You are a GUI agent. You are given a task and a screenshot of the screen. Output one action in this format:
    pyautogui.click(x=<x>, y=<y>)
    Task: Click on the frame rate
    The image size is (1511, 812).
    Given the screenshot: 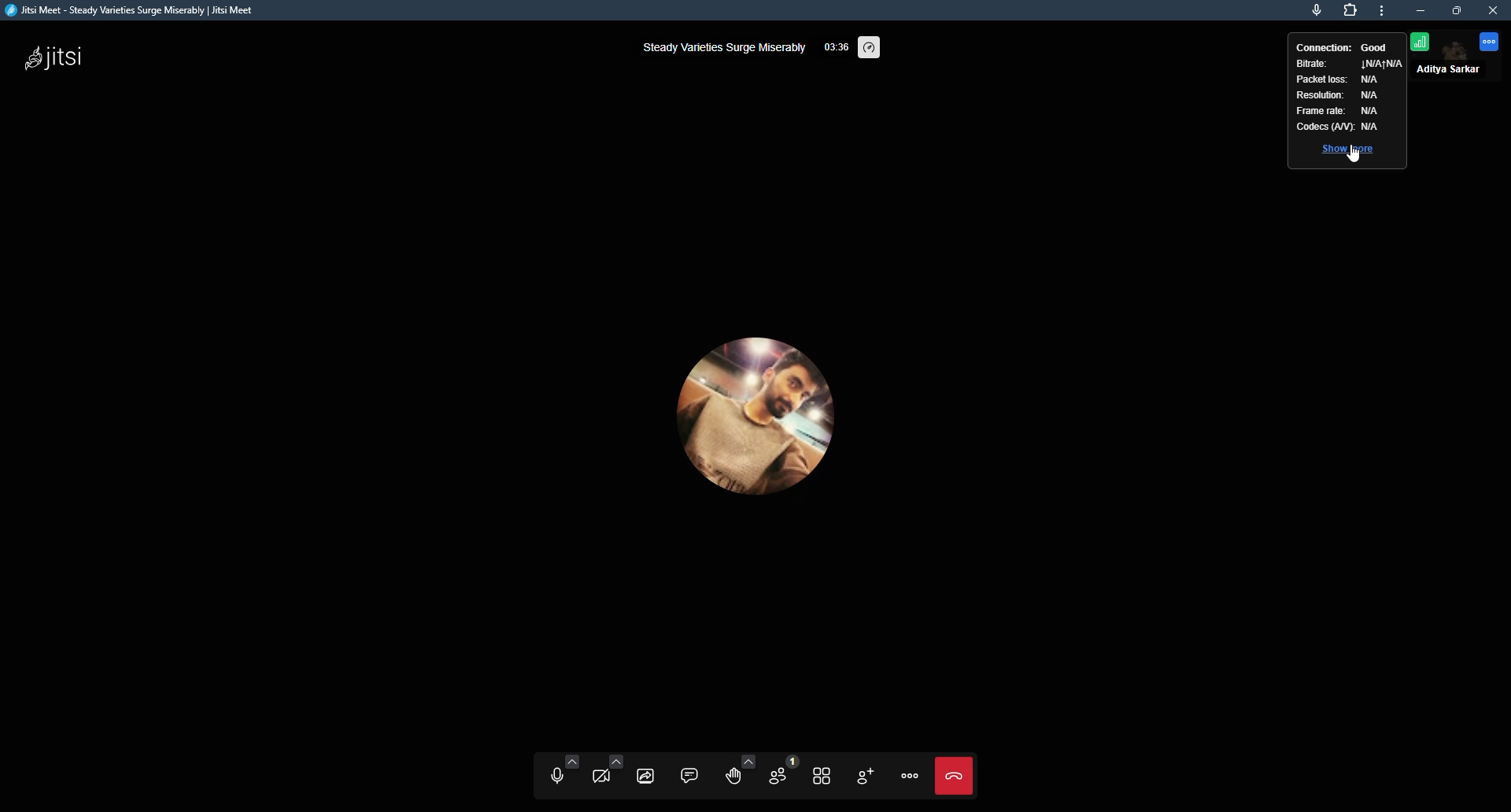 What is the action you would take?
    pyautogui.click(x=1317, y=111)
    